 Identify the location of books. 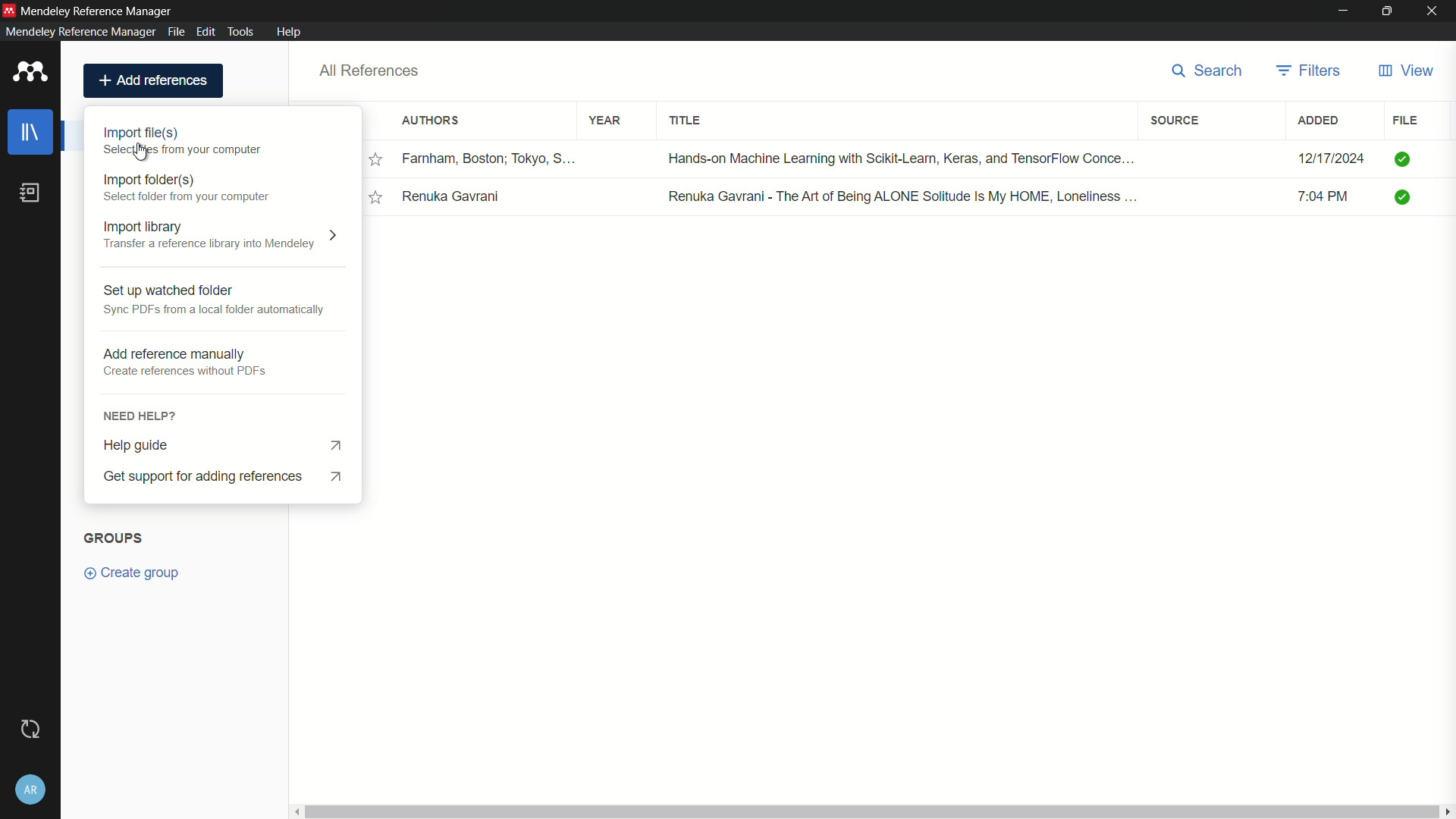
(30, 193).